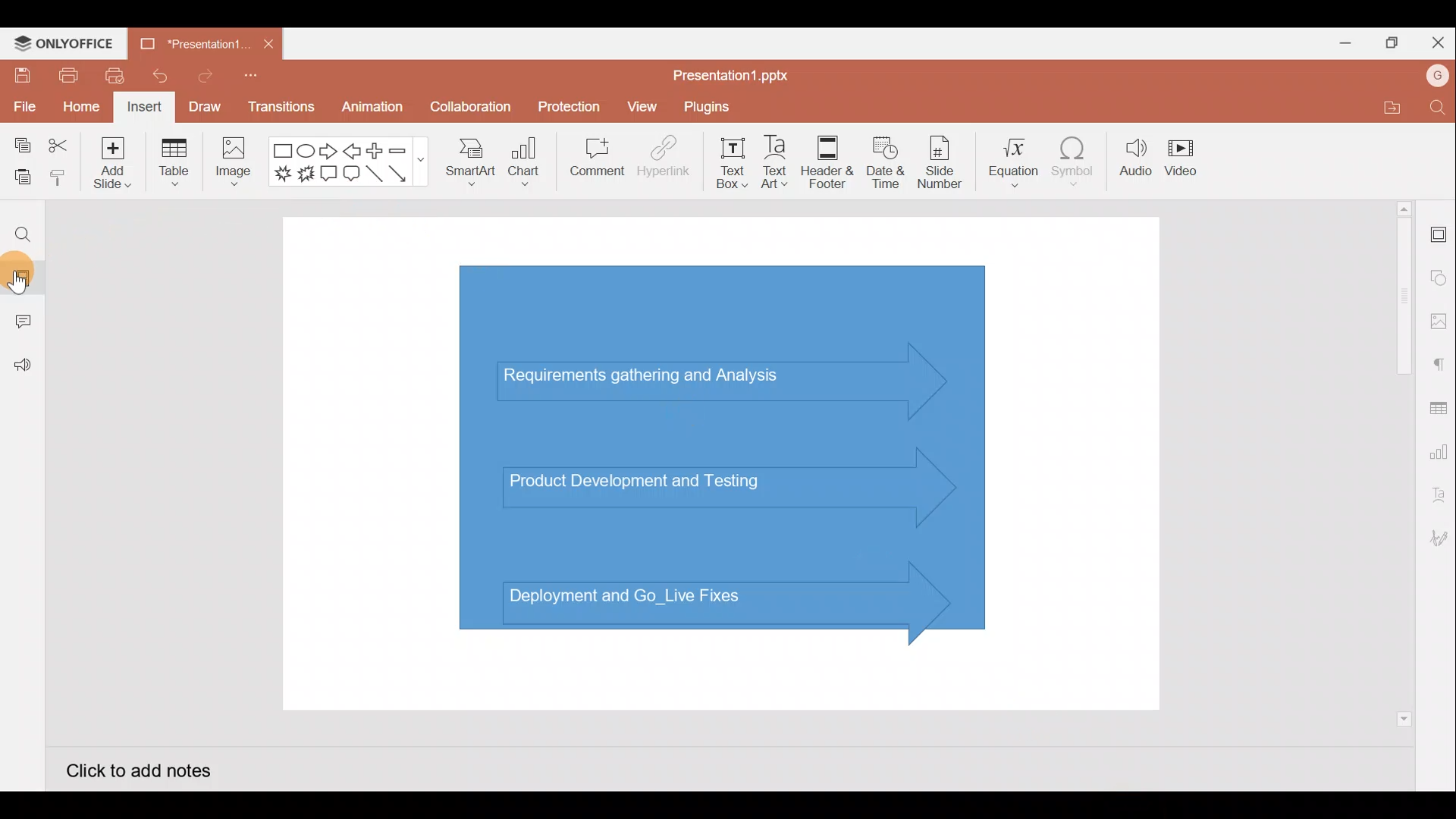 The width and height of the screenshot is (1456, 819). What do you see at coordinates (305, 152) in the screenshot?
I see `Ellipse` at bounding box center [305, 152].